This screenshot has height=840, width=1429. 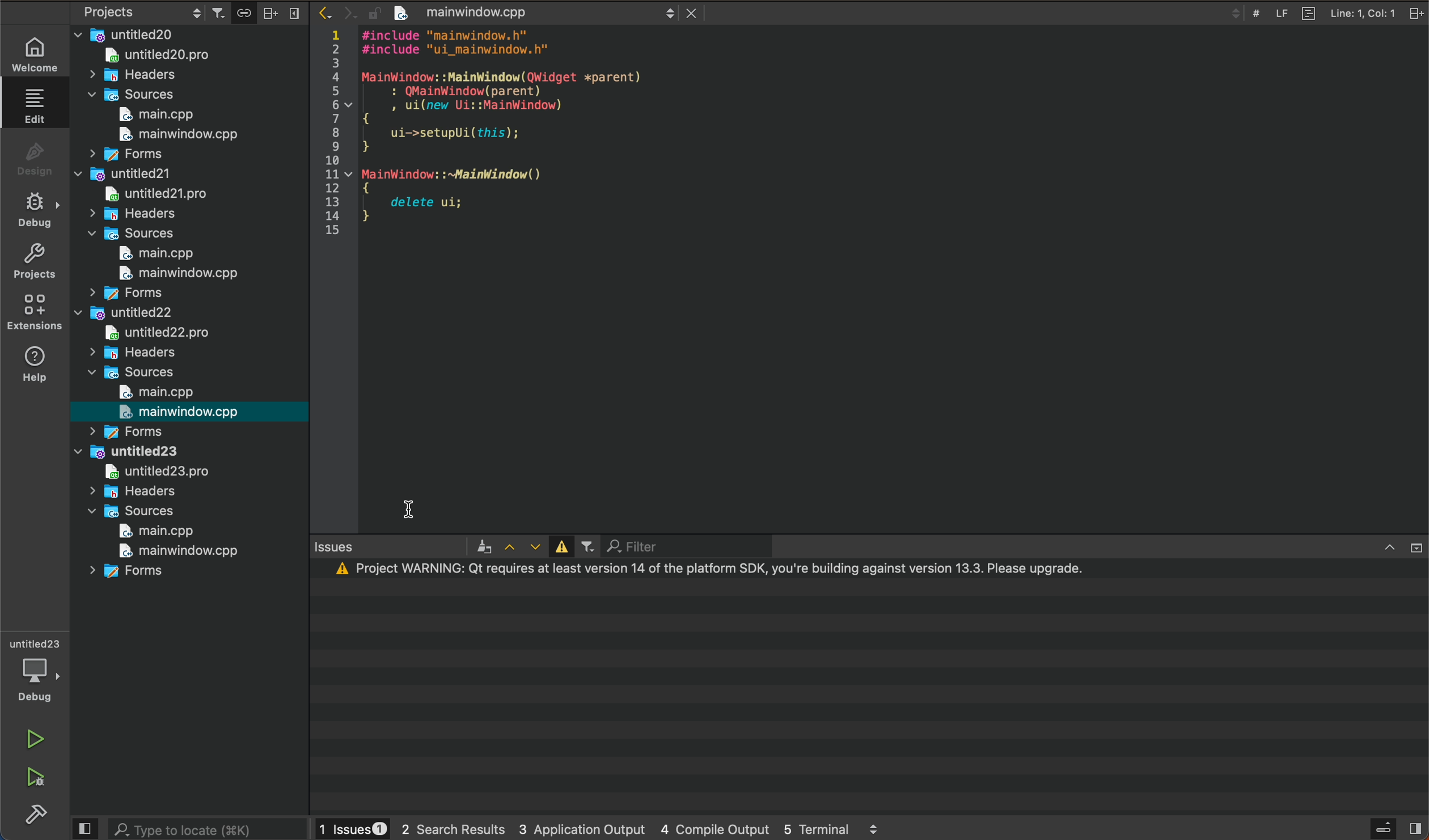 What do you see at coordinates (416, 508) in the screenshot?
I see `cursor` at bounding box center [416, 508].